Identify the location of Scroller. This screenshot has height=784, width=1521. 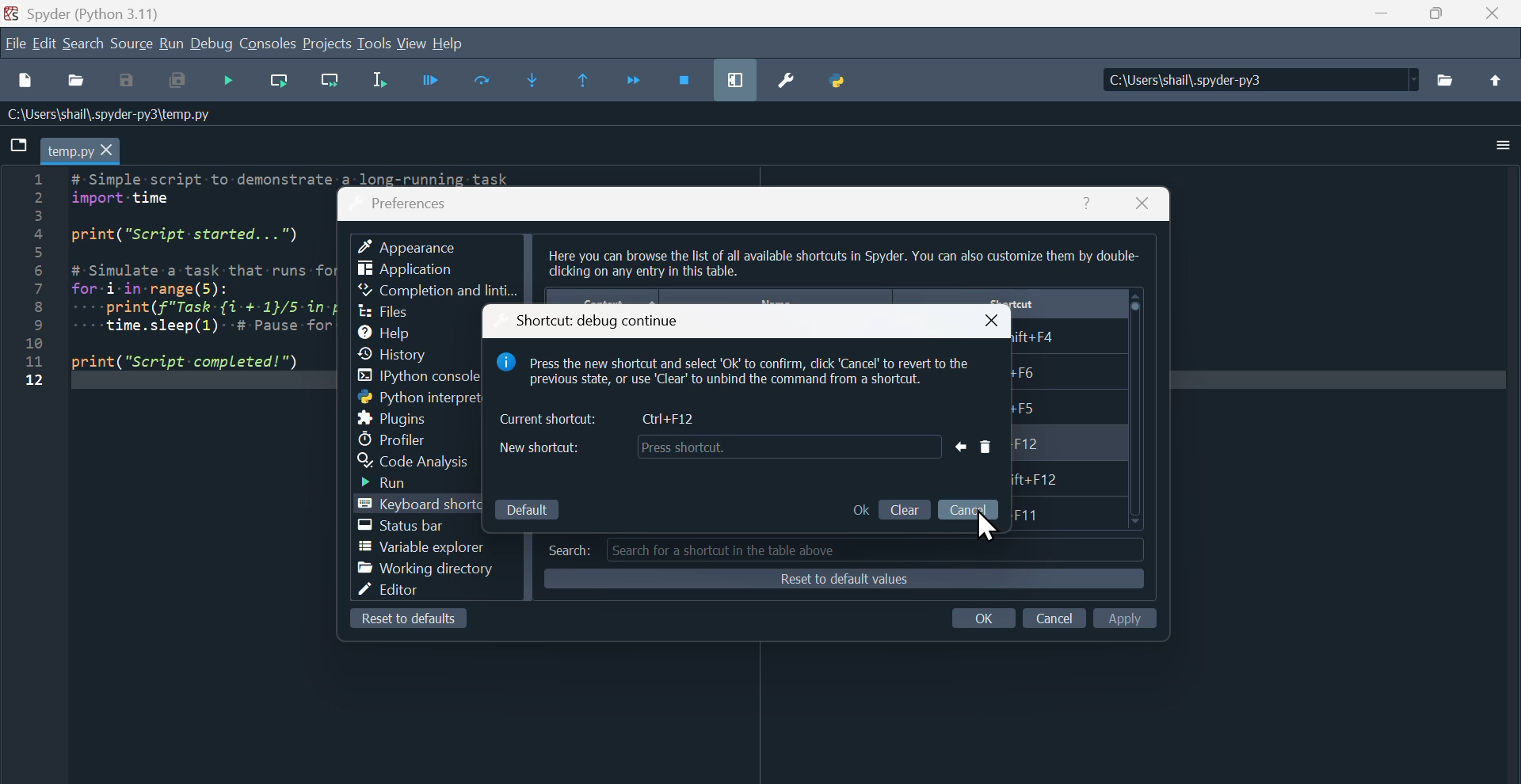
(1136, 409).